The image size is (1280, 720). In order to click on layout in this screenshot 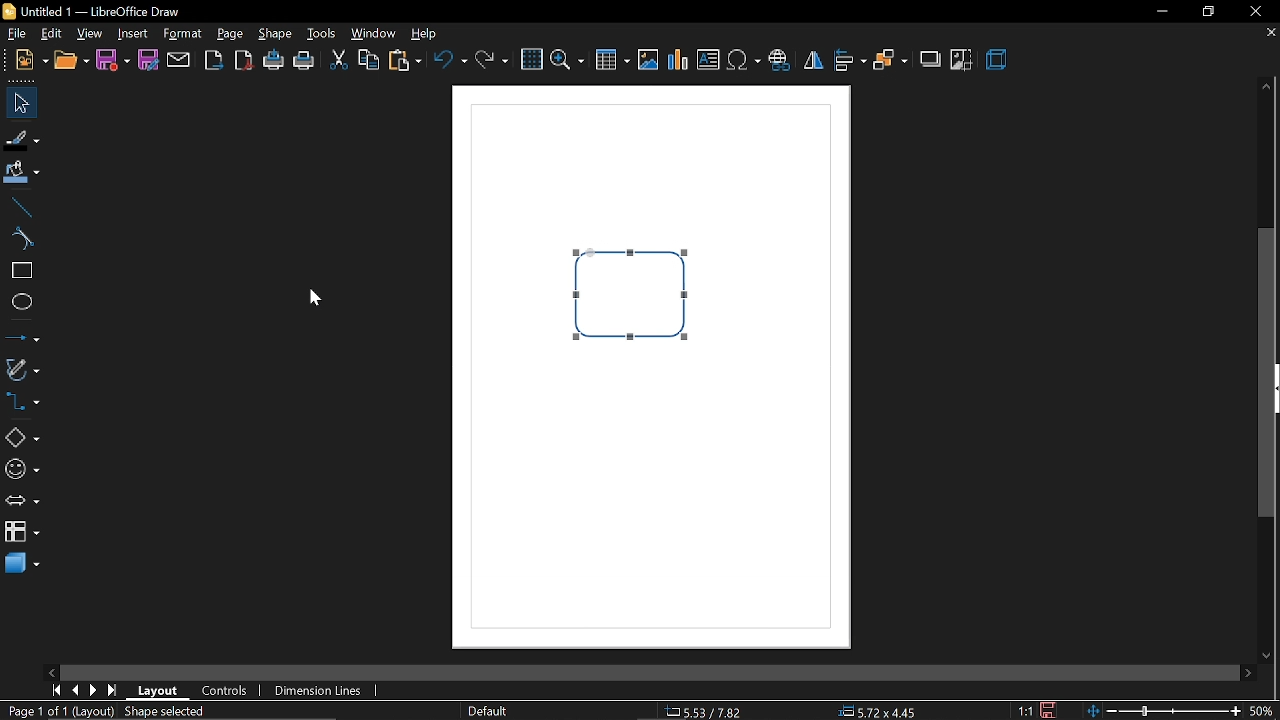, I will do `click(162, 691)`.